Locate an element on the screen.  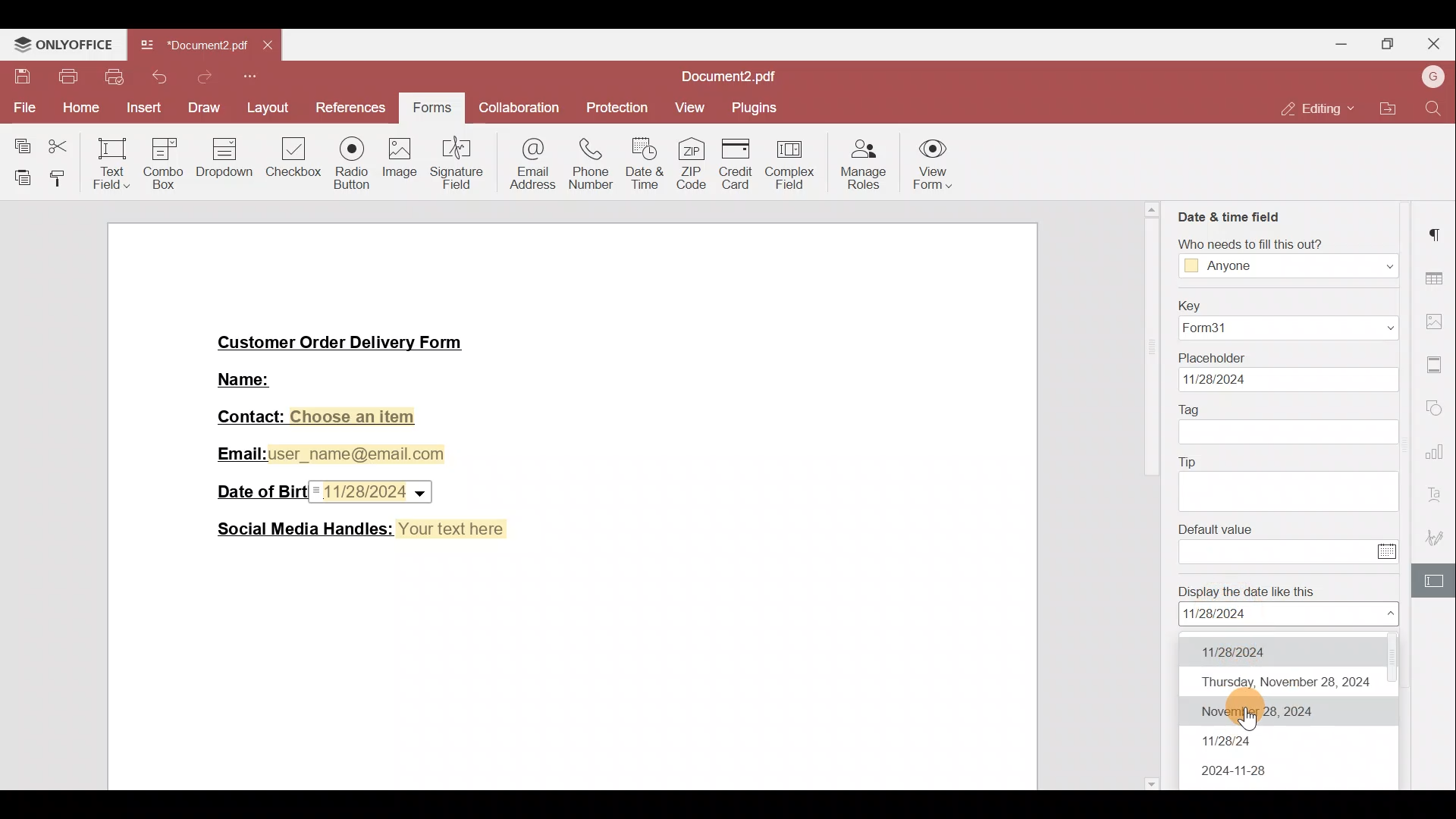
Cut is located at coordinates (62, 143).